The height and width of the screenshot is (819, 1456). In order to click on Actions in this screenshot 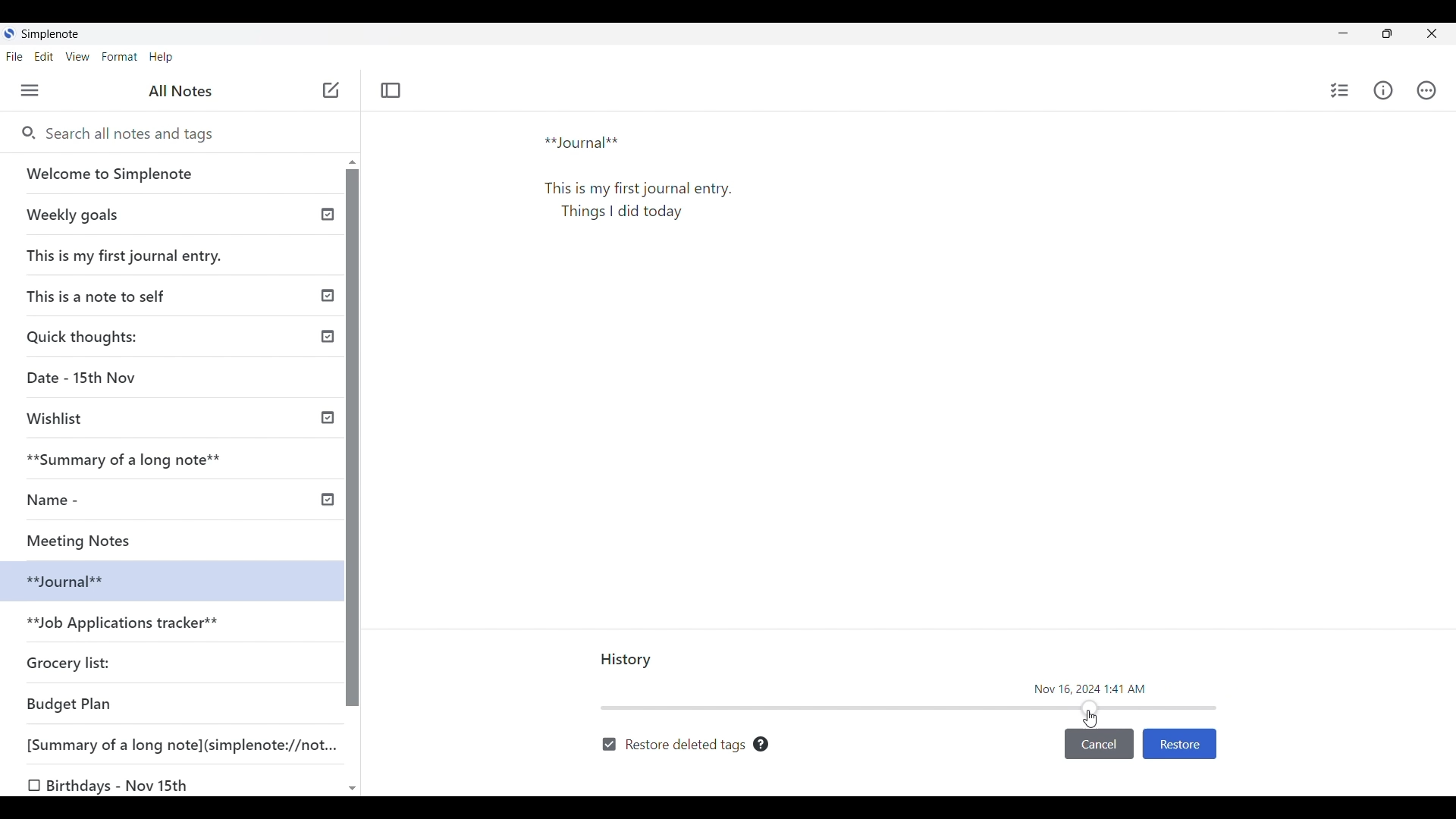, I will do `click(1426, 90)`.